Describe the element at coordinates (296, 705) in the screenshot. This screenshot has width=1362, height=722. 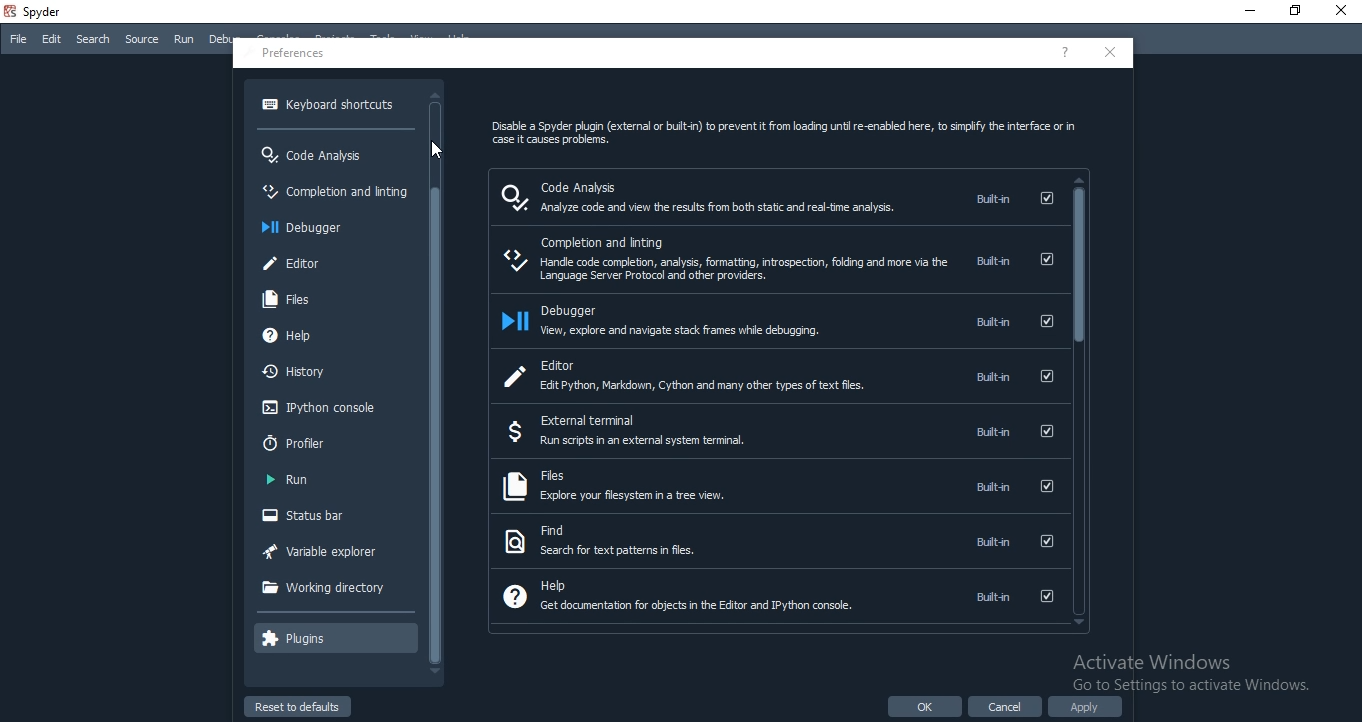
I see `Reset to defaults` at that location.